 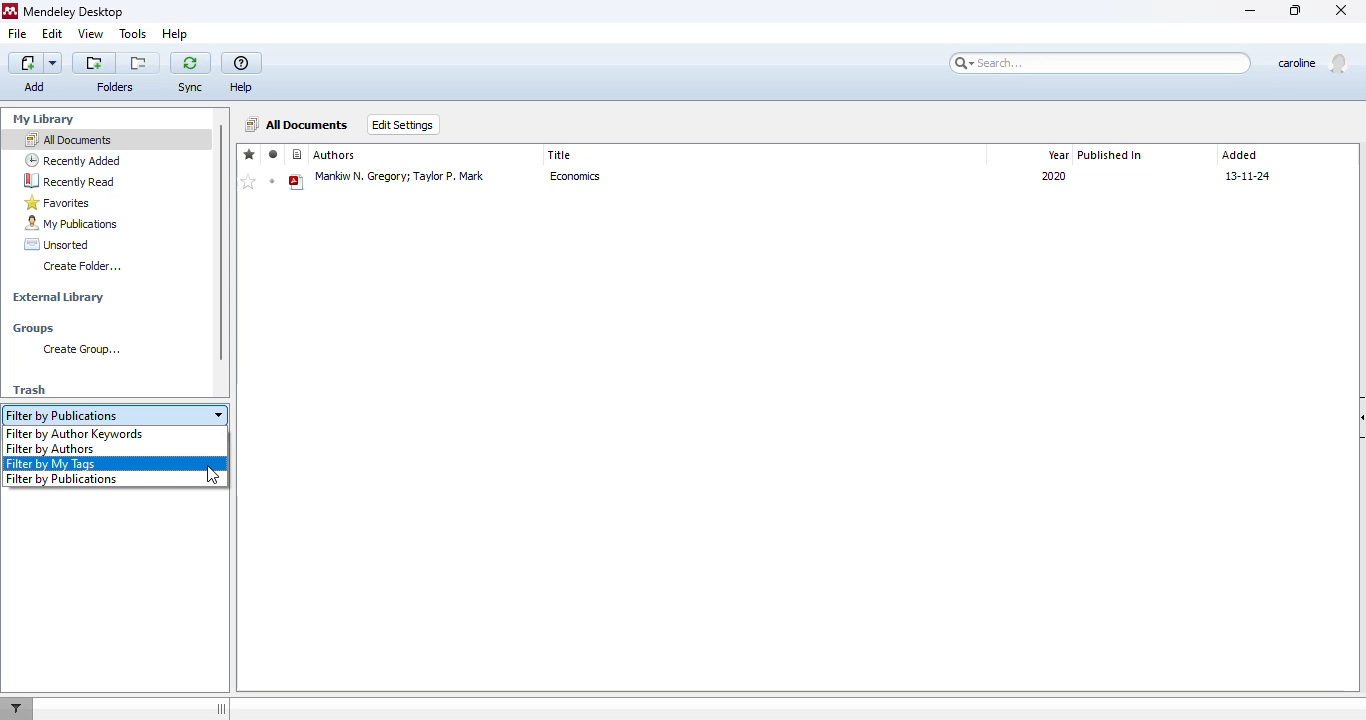 What do you see at coordinates (94, 63) in the screenshot?
I see `create a new folder` at bounding box center [94, 63].